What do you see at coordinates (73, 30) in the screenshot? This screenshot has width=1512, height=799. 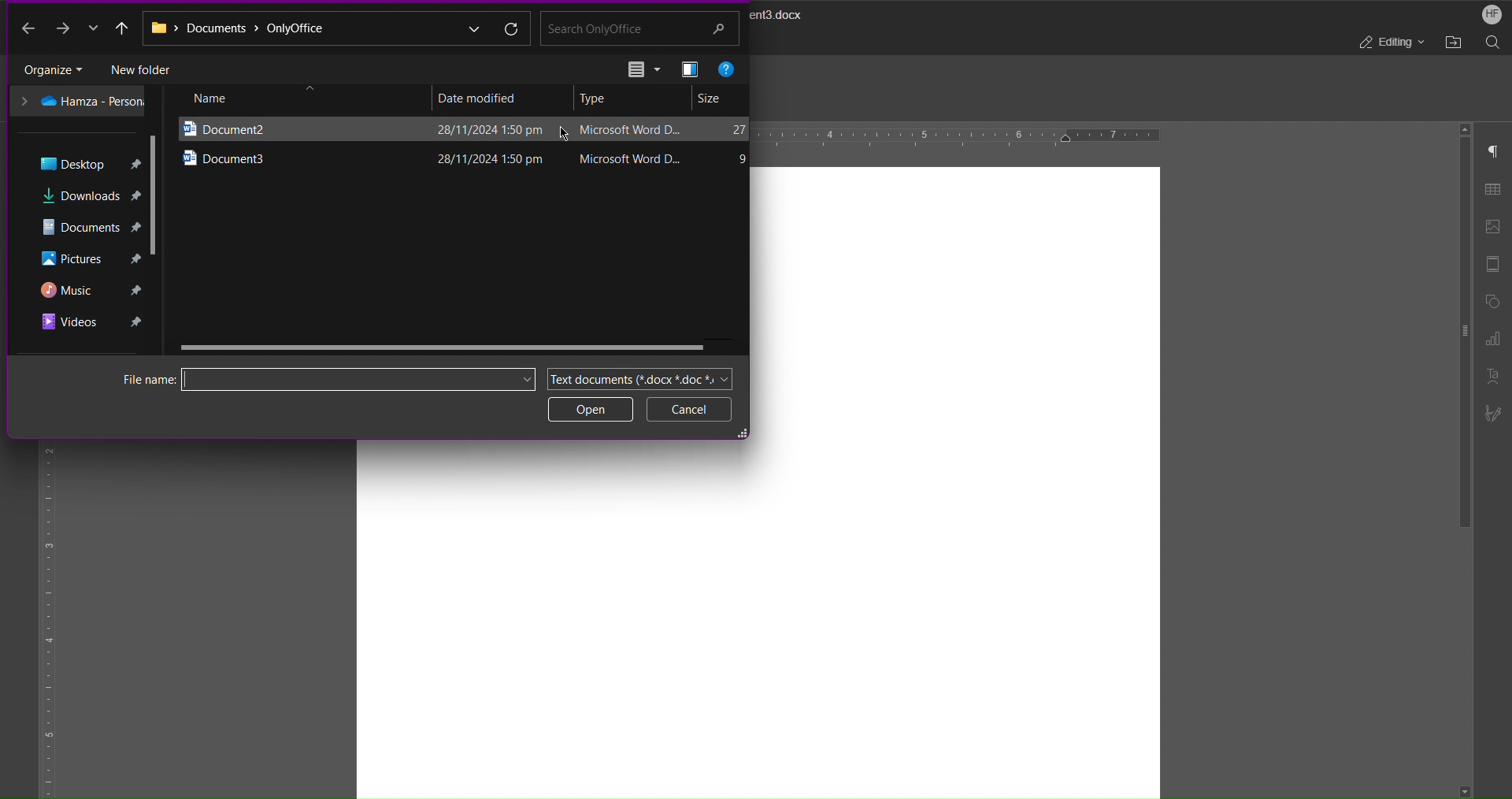 I see `Next` at bounding box center [73, 30].